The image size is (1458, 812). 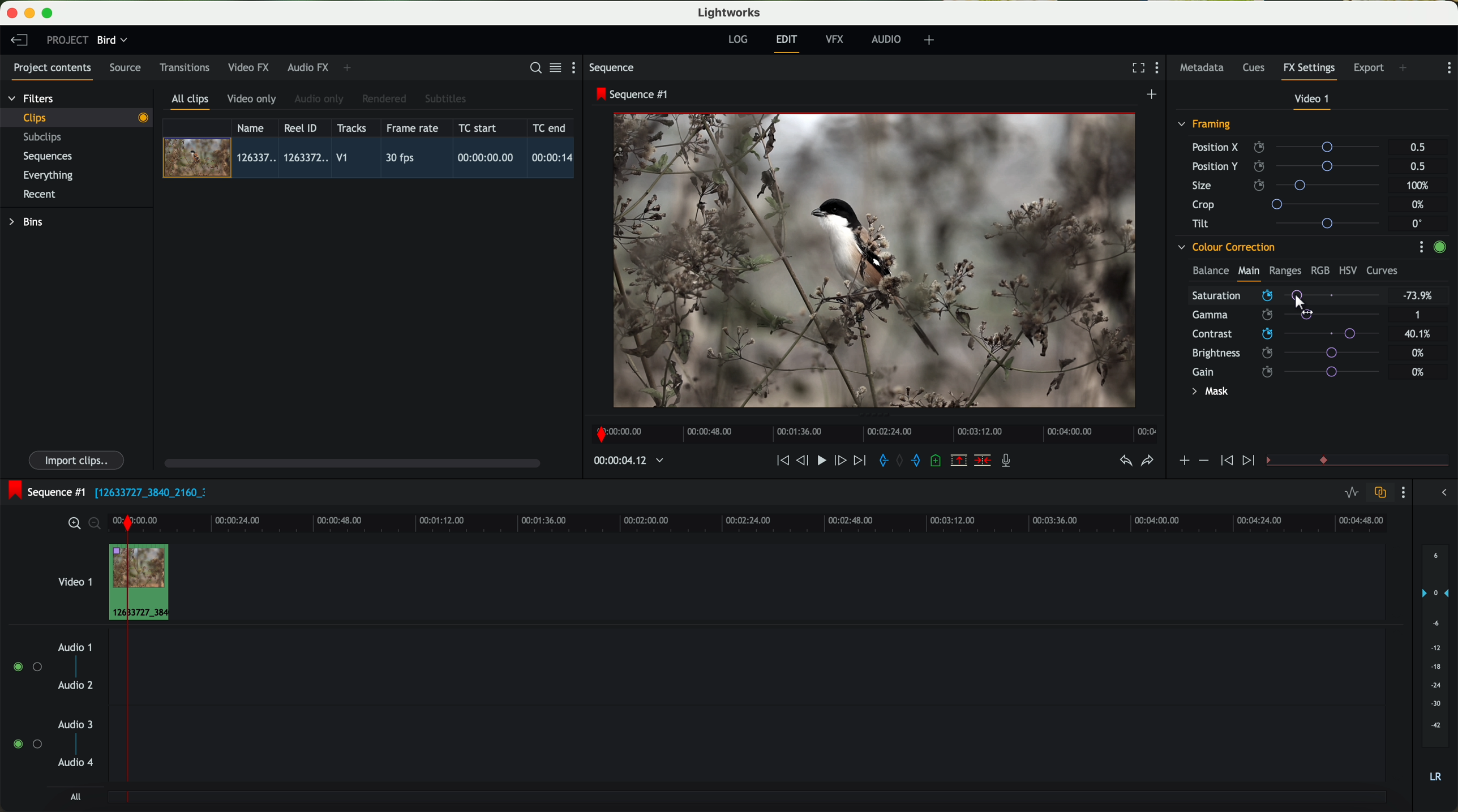 What do you see at coordinates (1406, 69) in the screenshot?
I see `add panel` at bounding box center [1406, 69].